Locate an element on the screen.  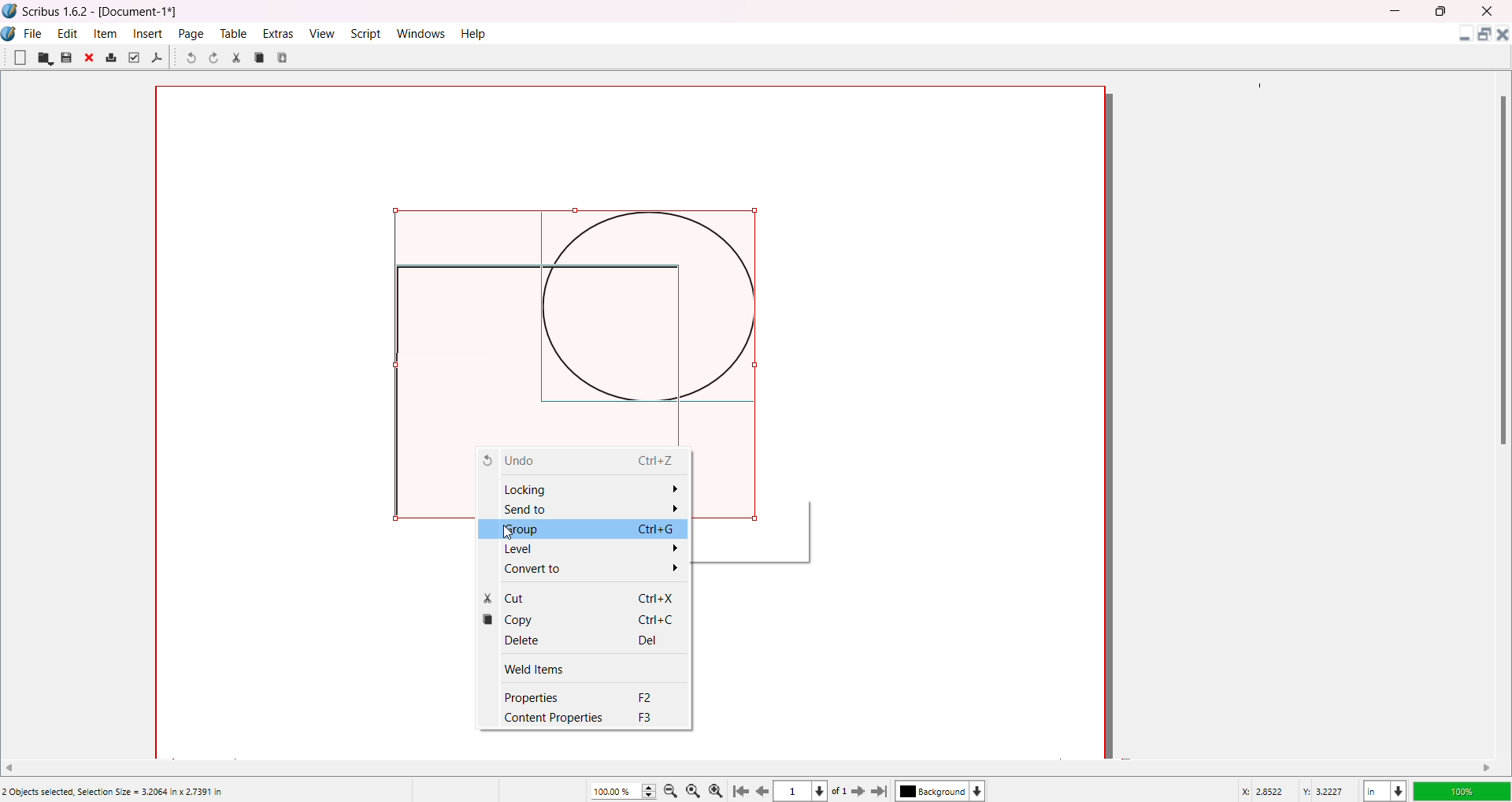
Script is located at coordinates (368, 32).